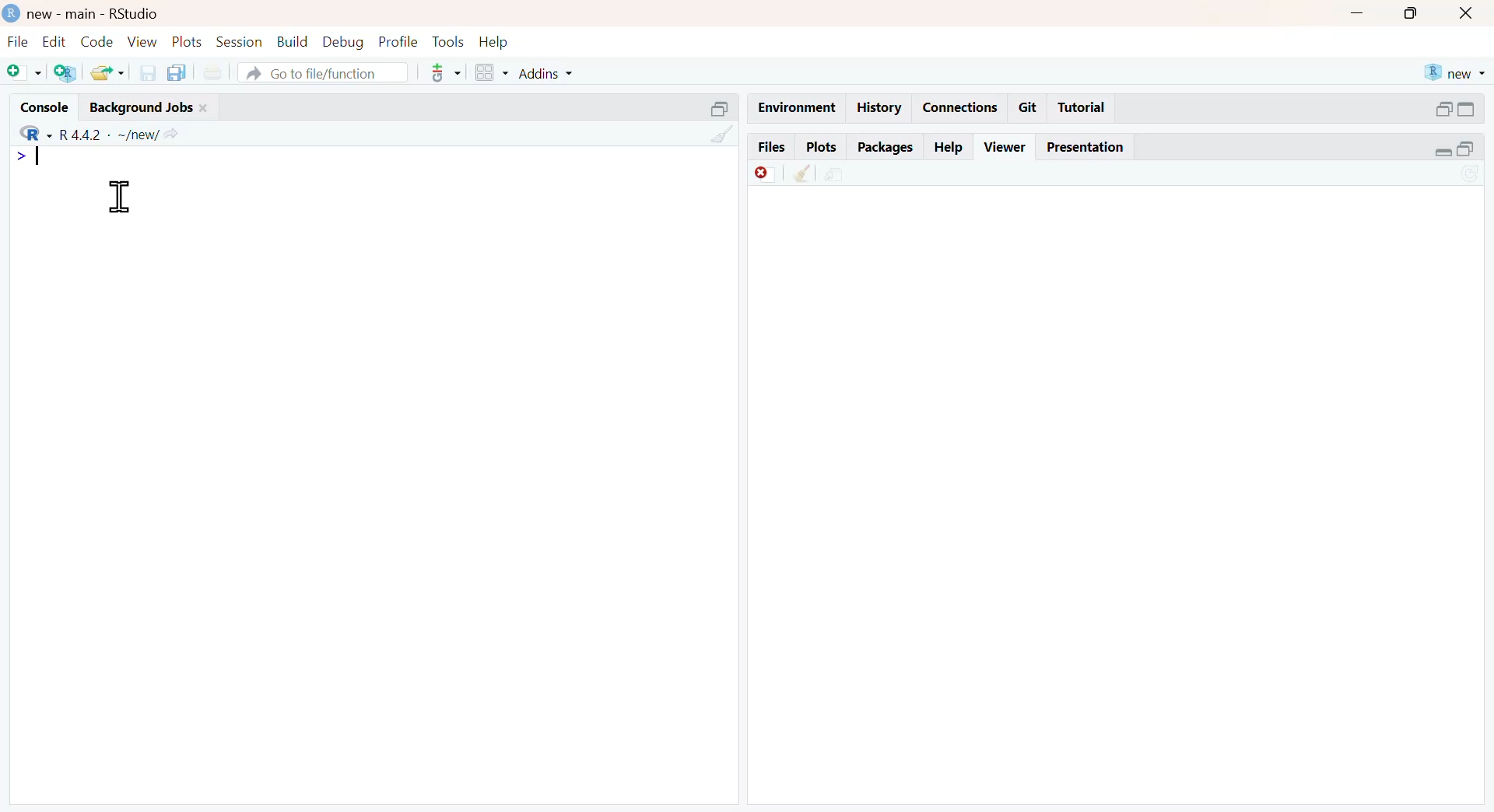  What do you see at coordinates (20, 41) in the screenshot?
I see `file` at bounding box center [20, 41].